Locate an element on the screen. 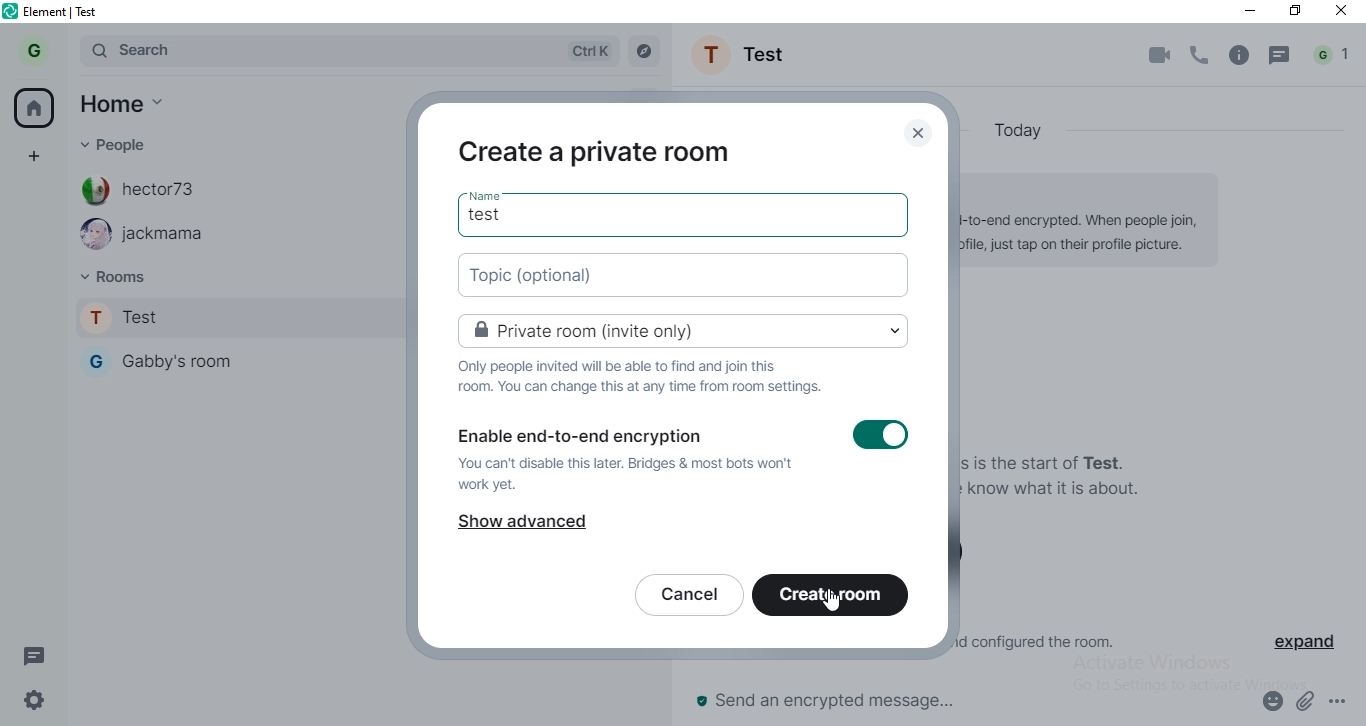  text 2 is located at coordinates (638, 466).